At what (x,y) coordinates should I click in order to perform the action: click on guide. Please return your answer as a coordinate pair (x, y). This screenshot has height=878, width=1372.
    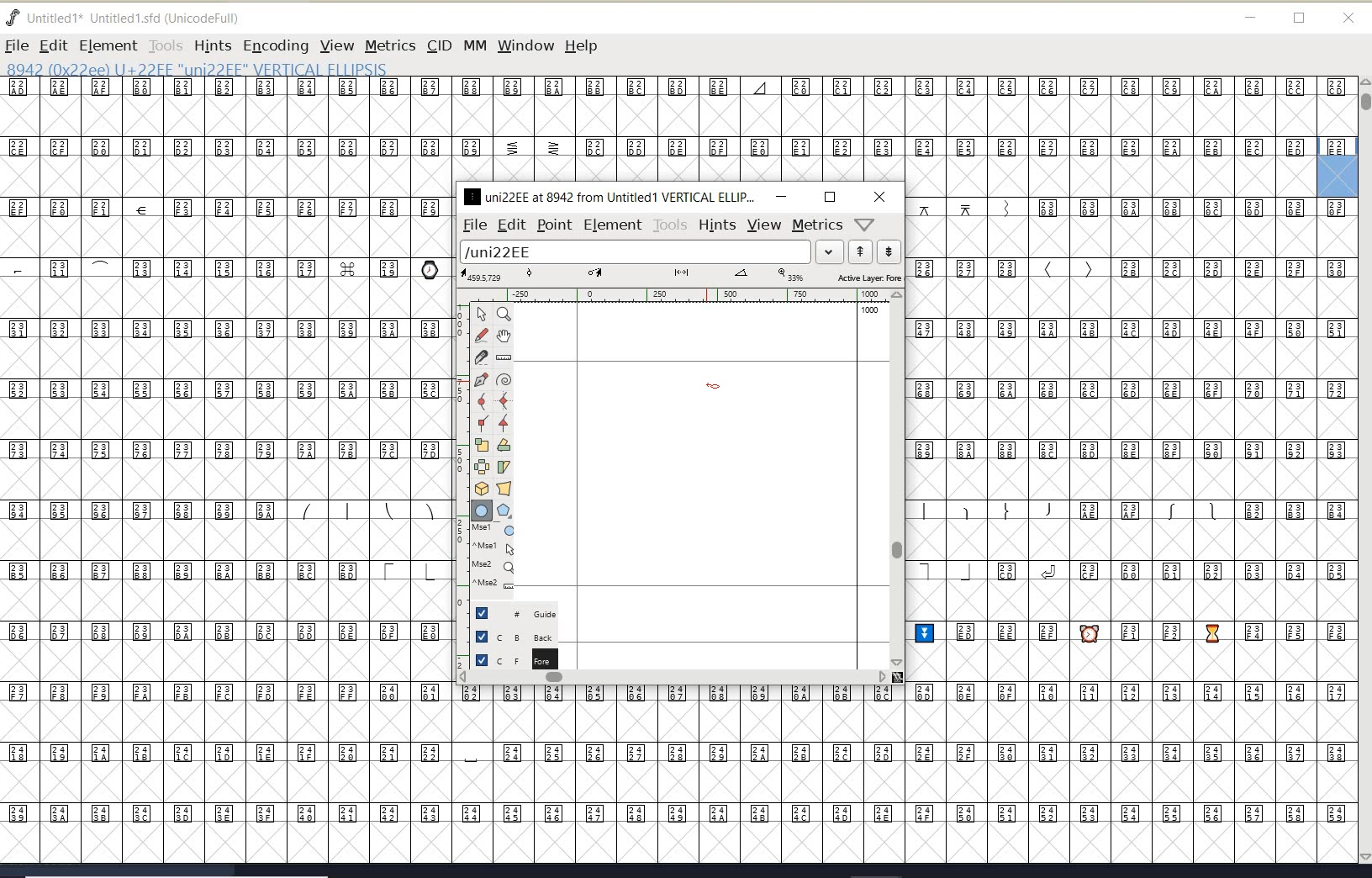
    Looking at the image, I should click on (522, 611).